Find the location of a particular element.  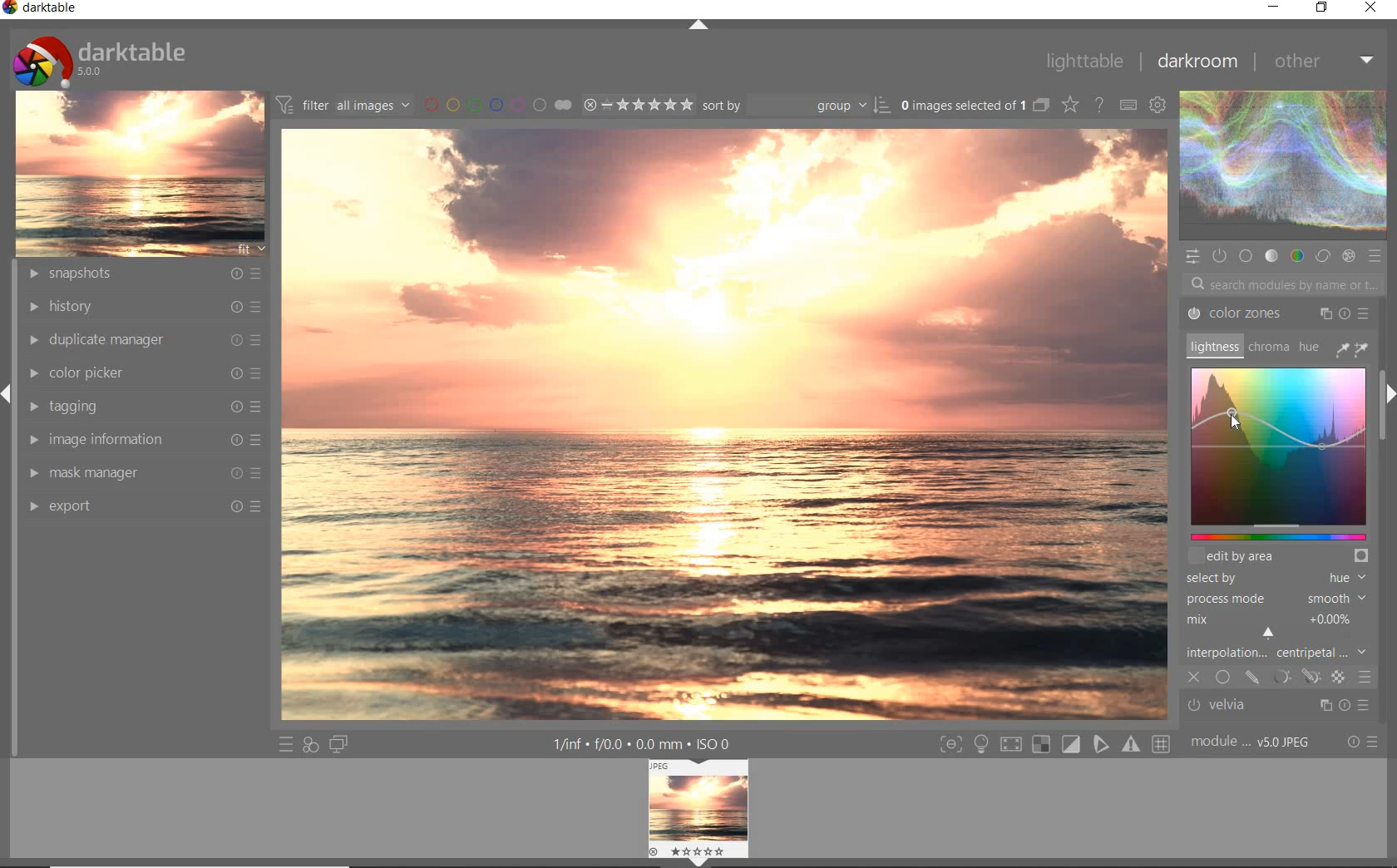

MODULE ORDER is located at coordinates (1252, 742).